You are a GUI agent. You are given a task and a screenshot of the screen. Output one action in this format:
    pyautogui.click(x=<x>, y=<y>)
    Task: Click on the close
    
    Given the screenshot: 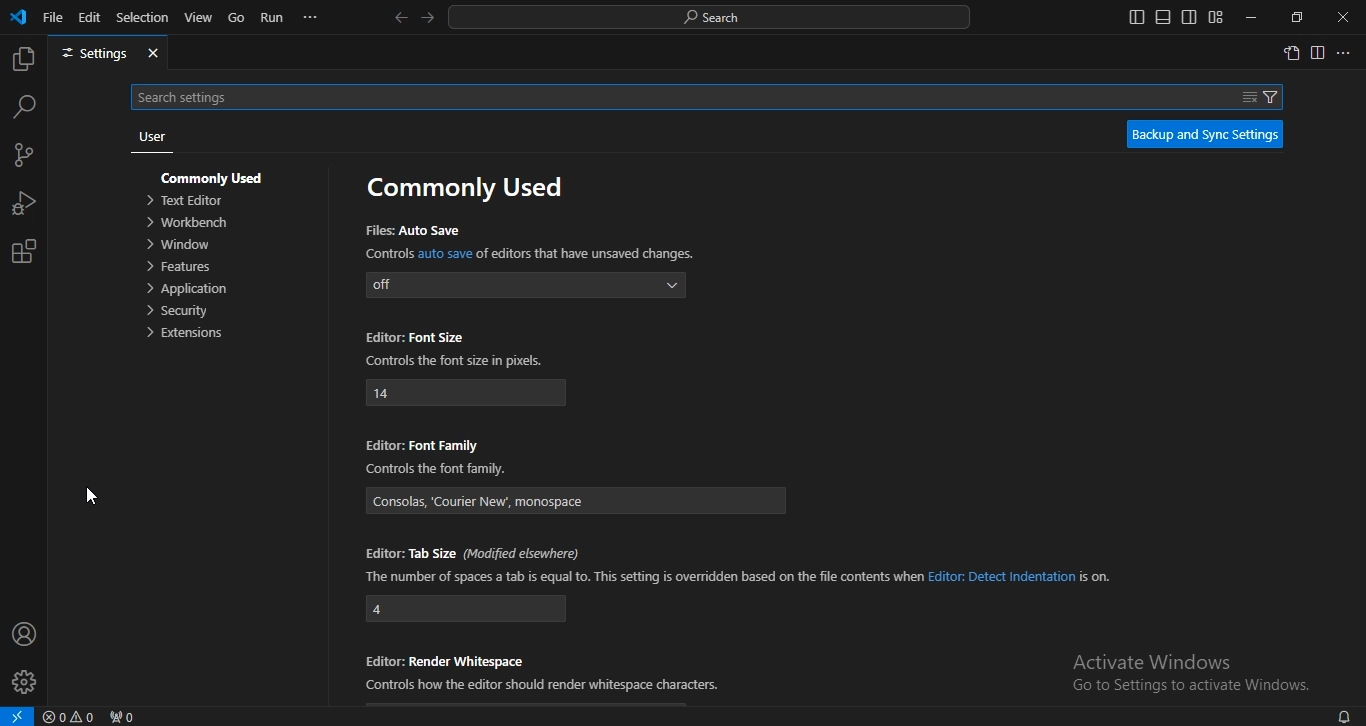 What is the action you would take?
    pyautogui.click(x=1344, y=18)
    